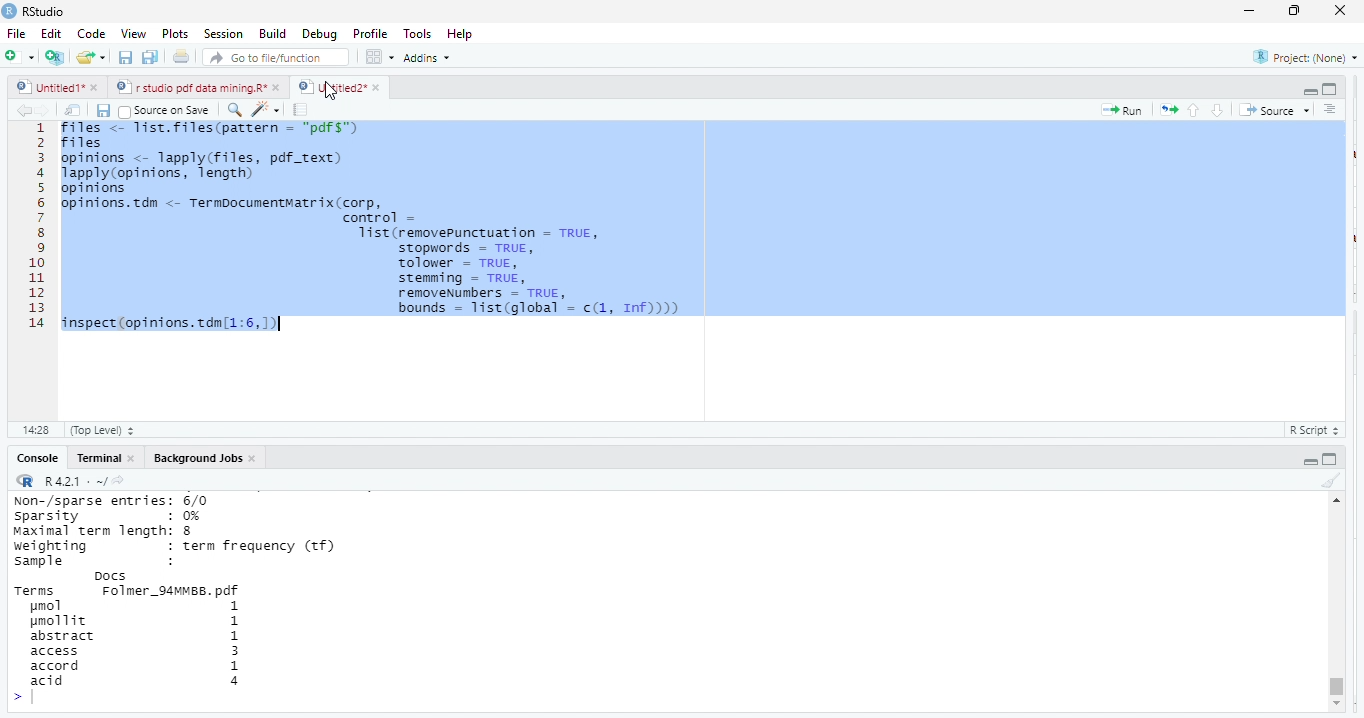  I want to click on run, so click(1122, 110).